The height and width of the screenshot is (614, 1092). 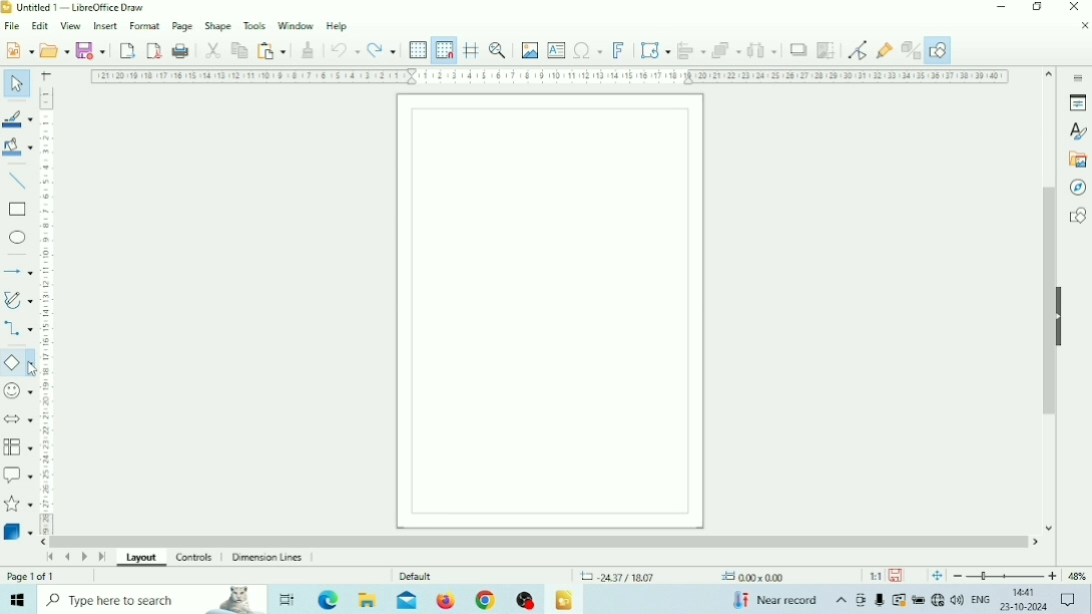 What do you see at coordinates (155, 49) in the screenshot?
I see `Export directly as PDF` at bounding box center [155, 49].